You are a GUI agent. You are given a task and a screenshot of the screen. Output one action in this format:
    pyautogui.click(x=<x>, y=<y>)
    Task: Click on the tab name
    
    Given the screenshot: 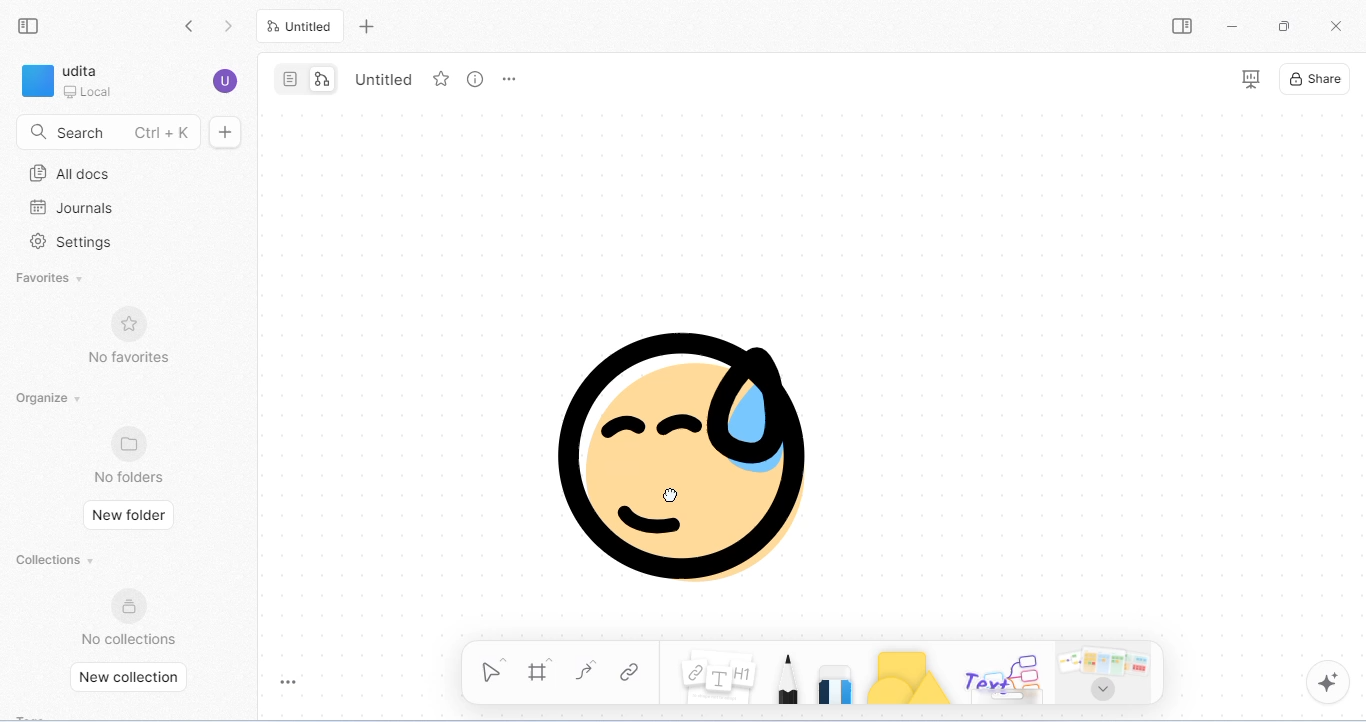 What is the action you would take?
    pyautogui.click(x=381, y=78)
    